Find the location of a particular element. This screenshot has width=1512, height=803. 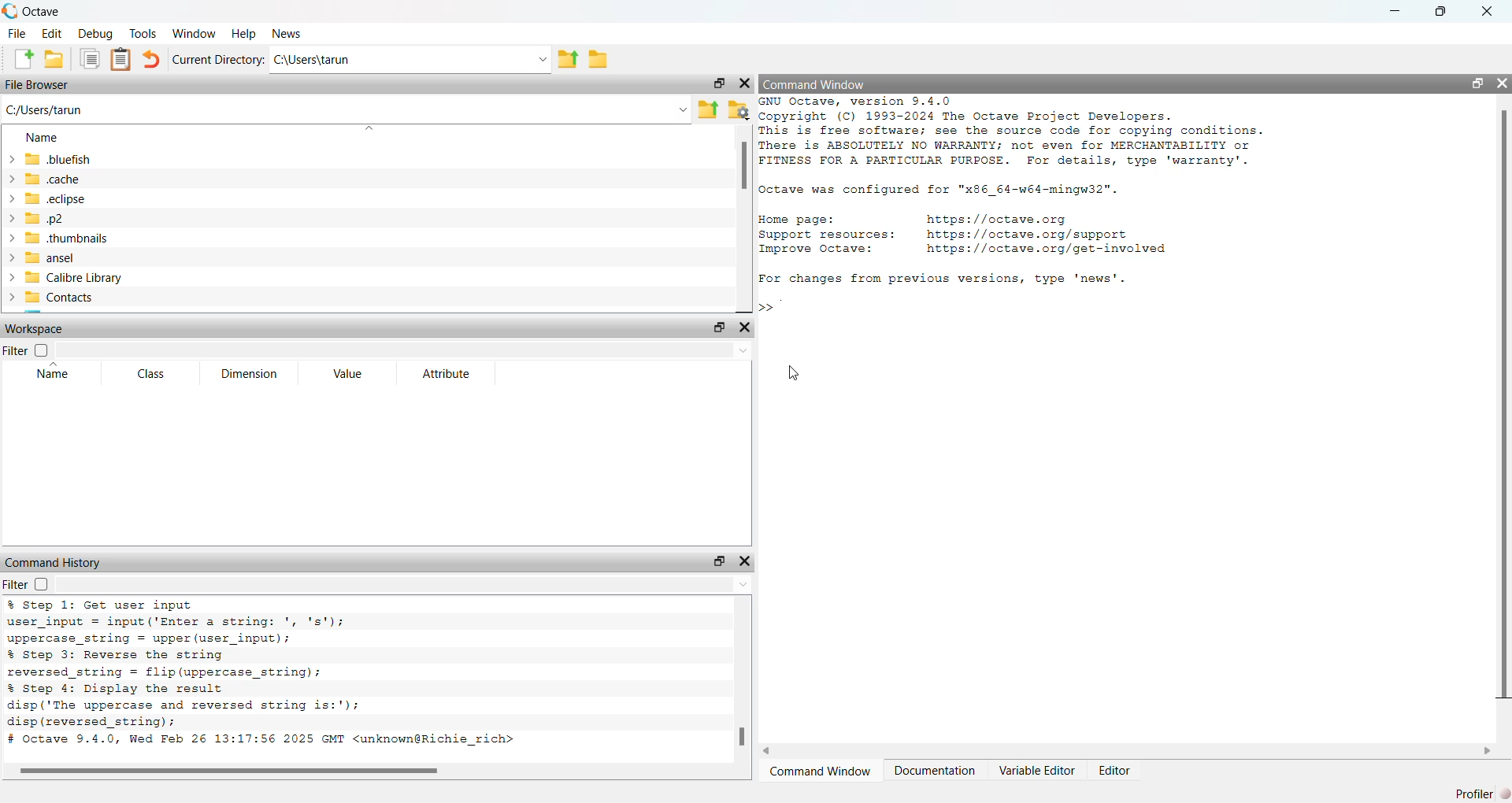

code to display the result is located at coordinates (190, 705).